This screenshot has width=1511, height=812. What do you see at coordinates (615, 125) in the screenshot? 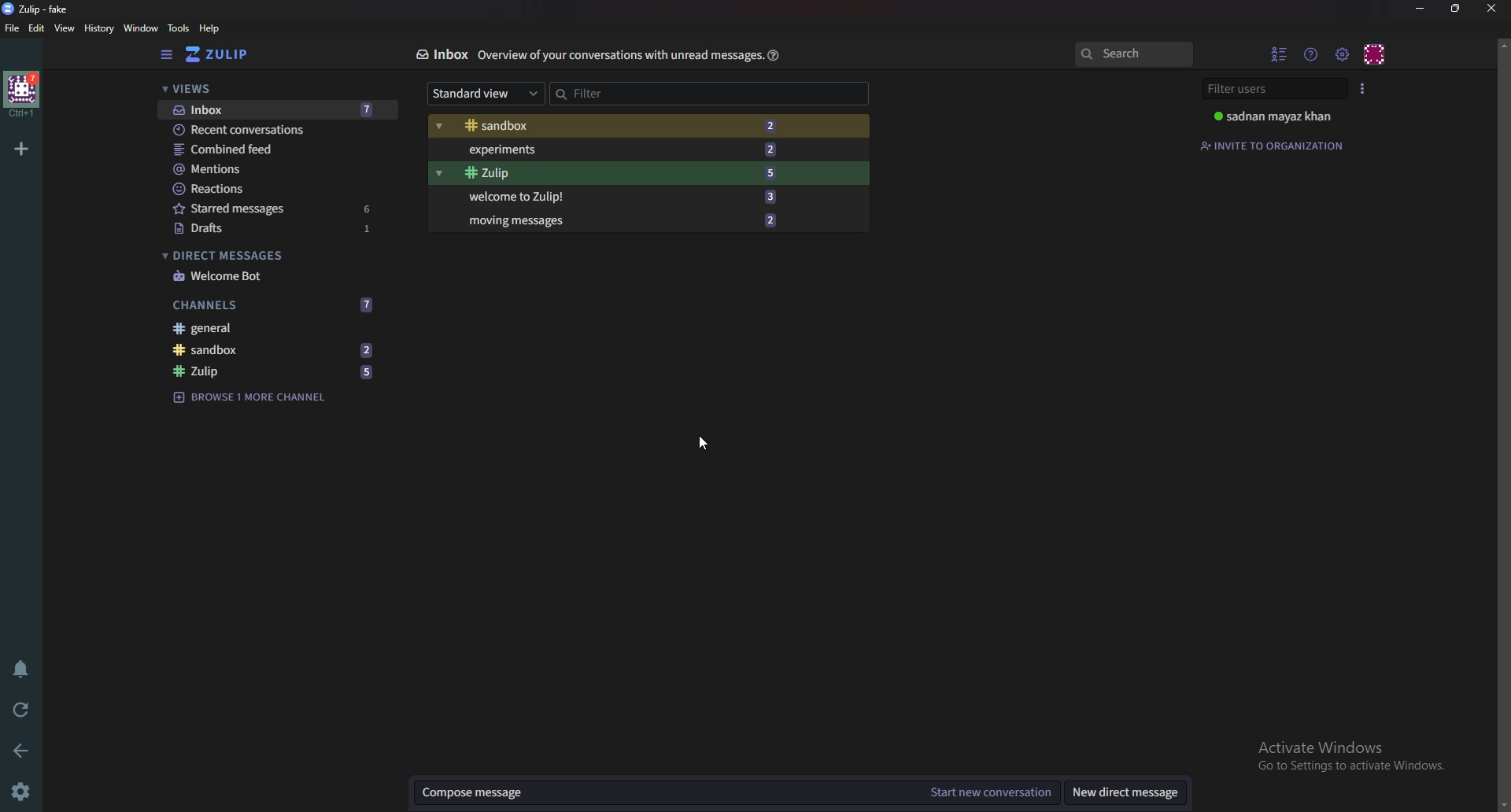
I see `Sandbox 2` at bounding box center [615, 125].